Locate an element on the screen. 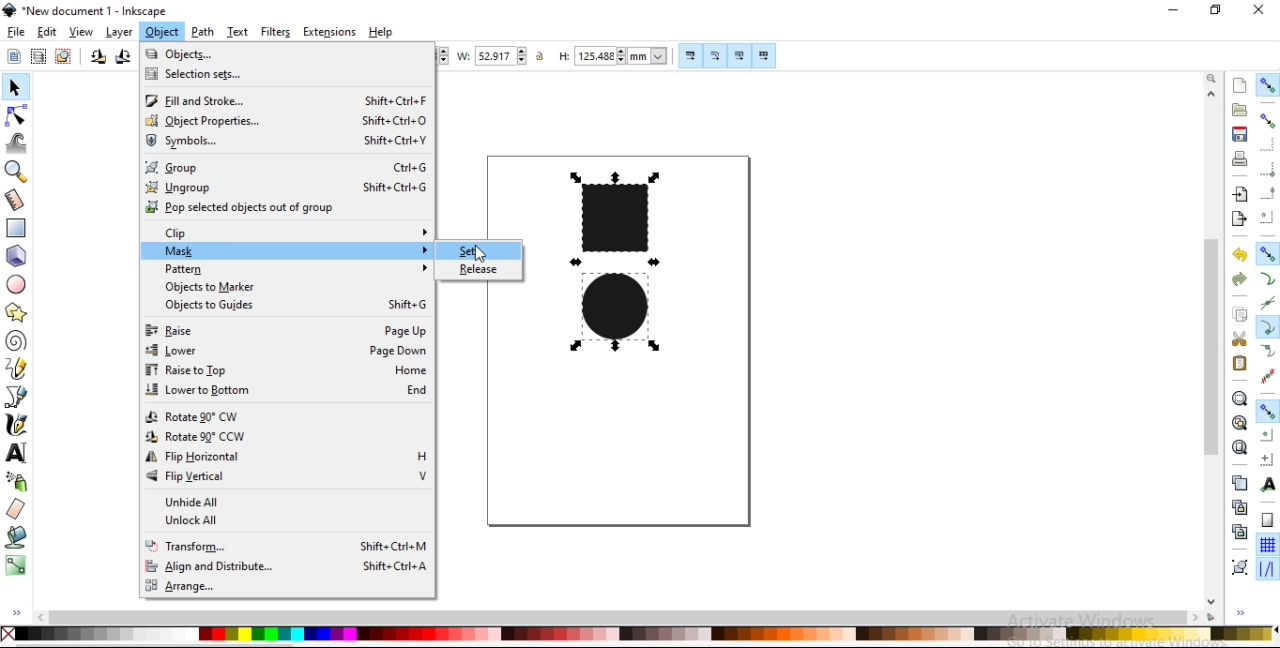  close is located at coordinates (1258, 10).